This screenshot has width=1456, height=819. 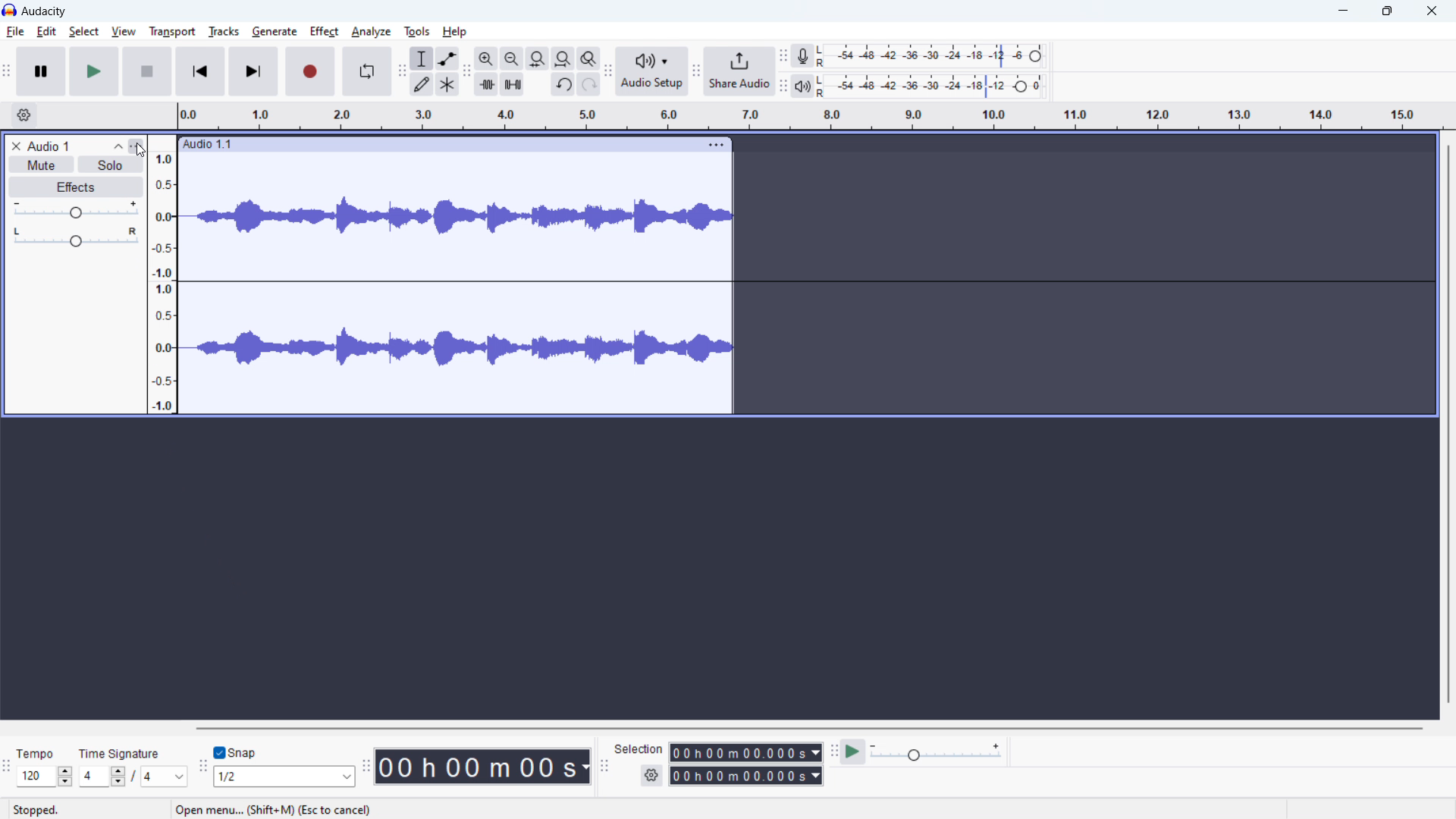 What do you see at coordinates (563, 84) in the screenshot?
I see `undo` at bounding box center [563, 84].